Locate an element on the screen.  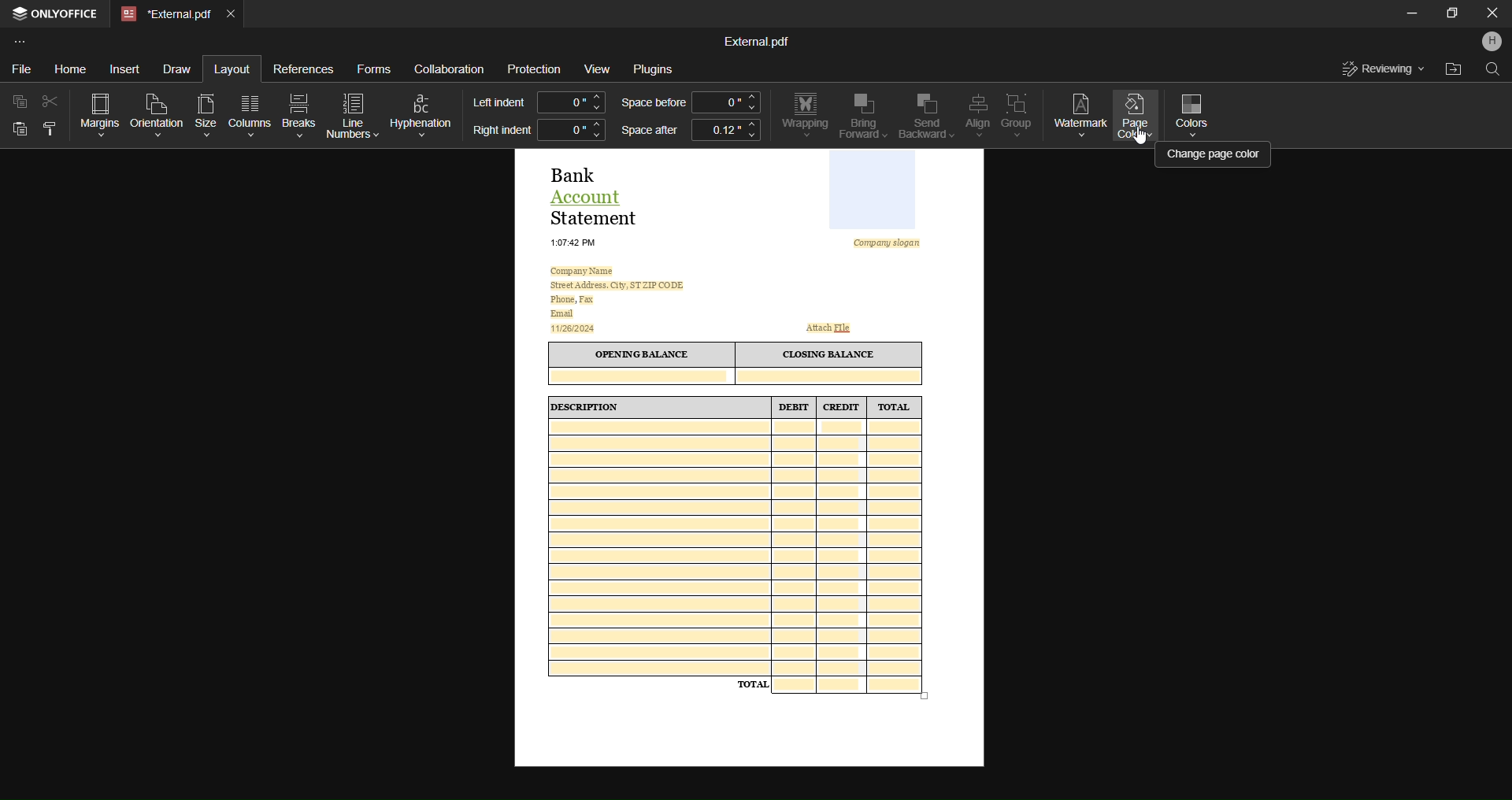
Profile is located at coordinates (1489, 43).